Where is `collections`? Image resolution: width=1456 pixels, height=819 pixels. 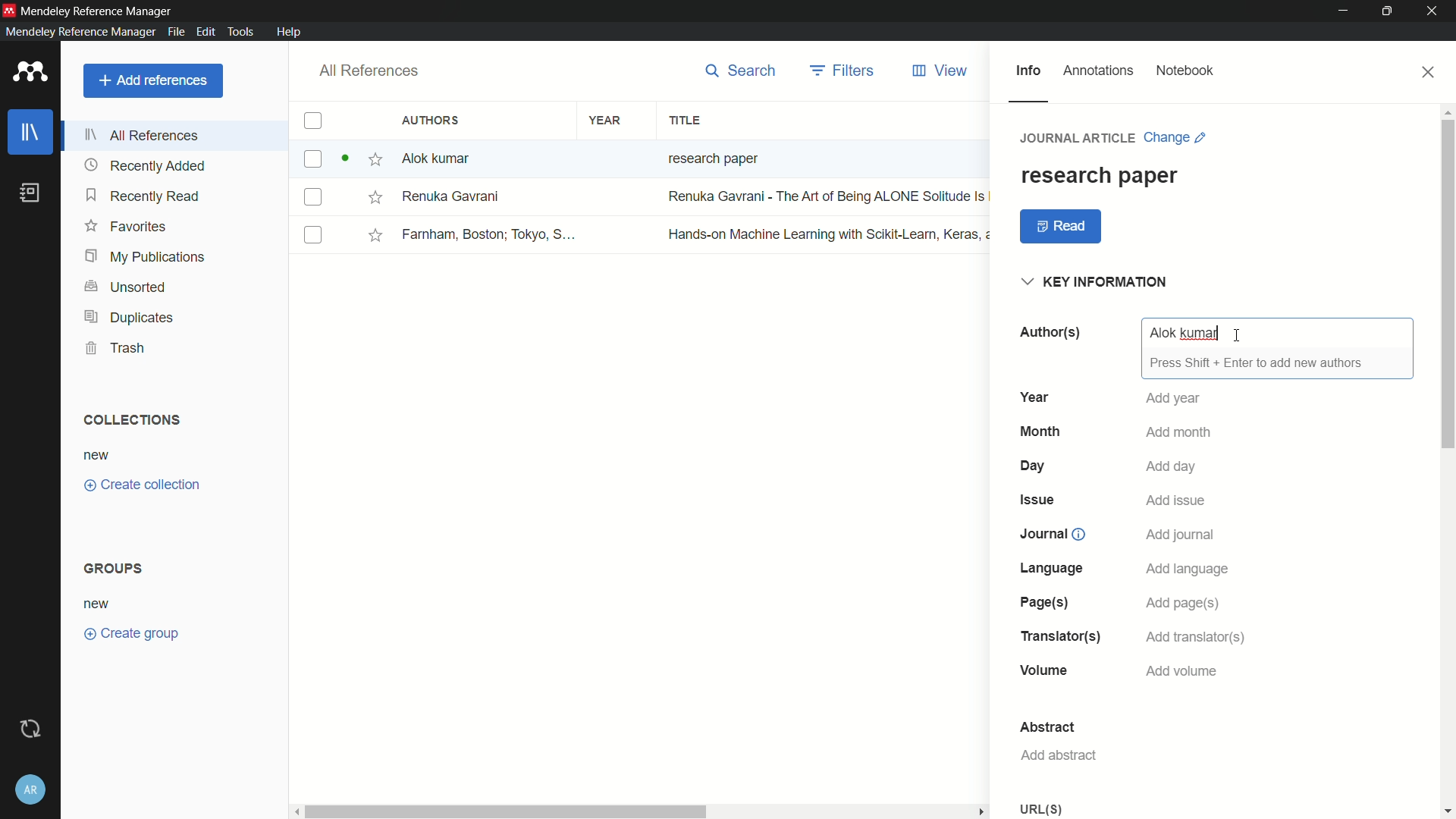 collections is located at coordinates (130, 420).